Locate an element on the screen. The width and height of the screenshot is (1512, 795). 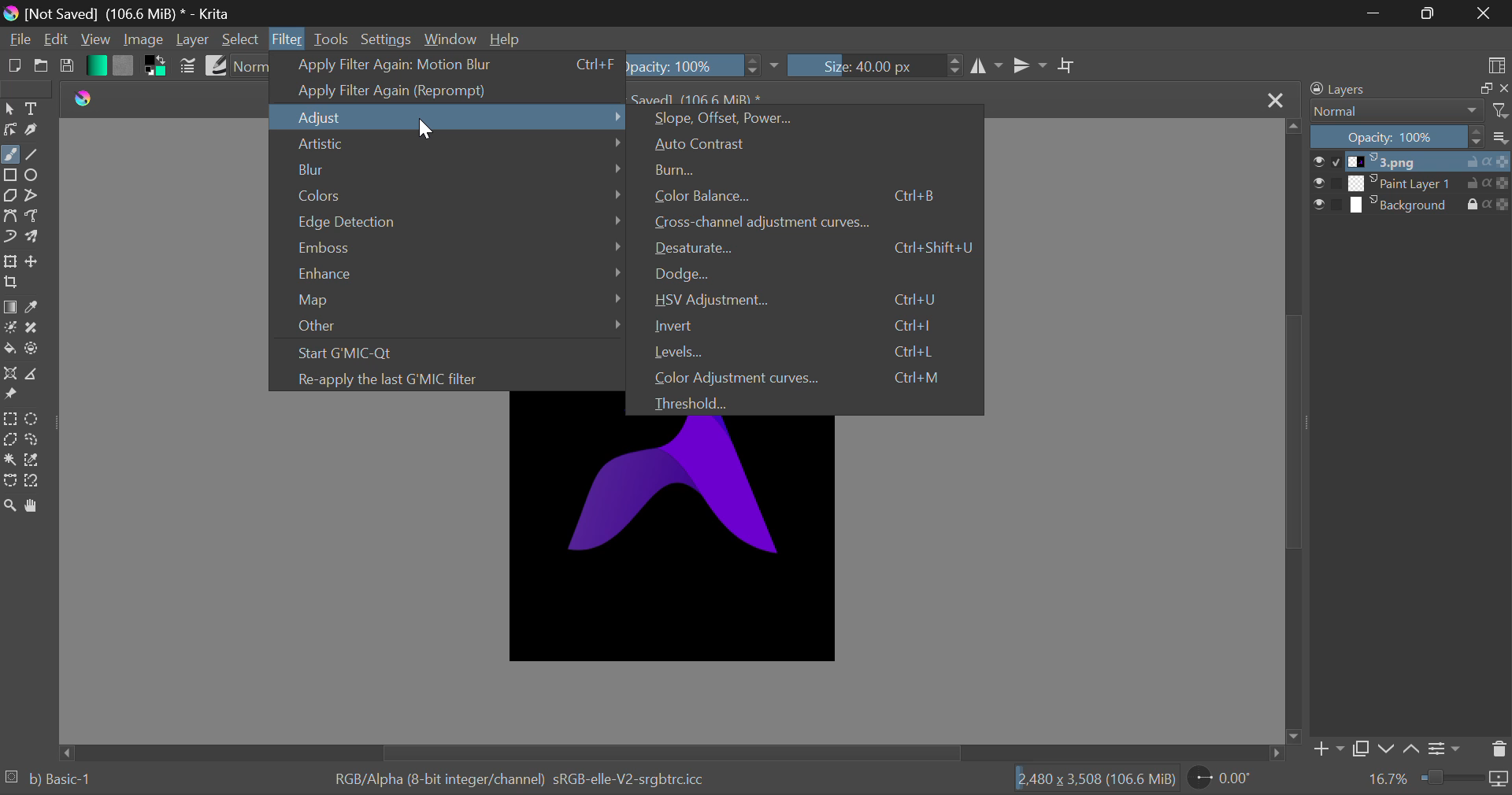
Settings is located at coordinates (387, 39).